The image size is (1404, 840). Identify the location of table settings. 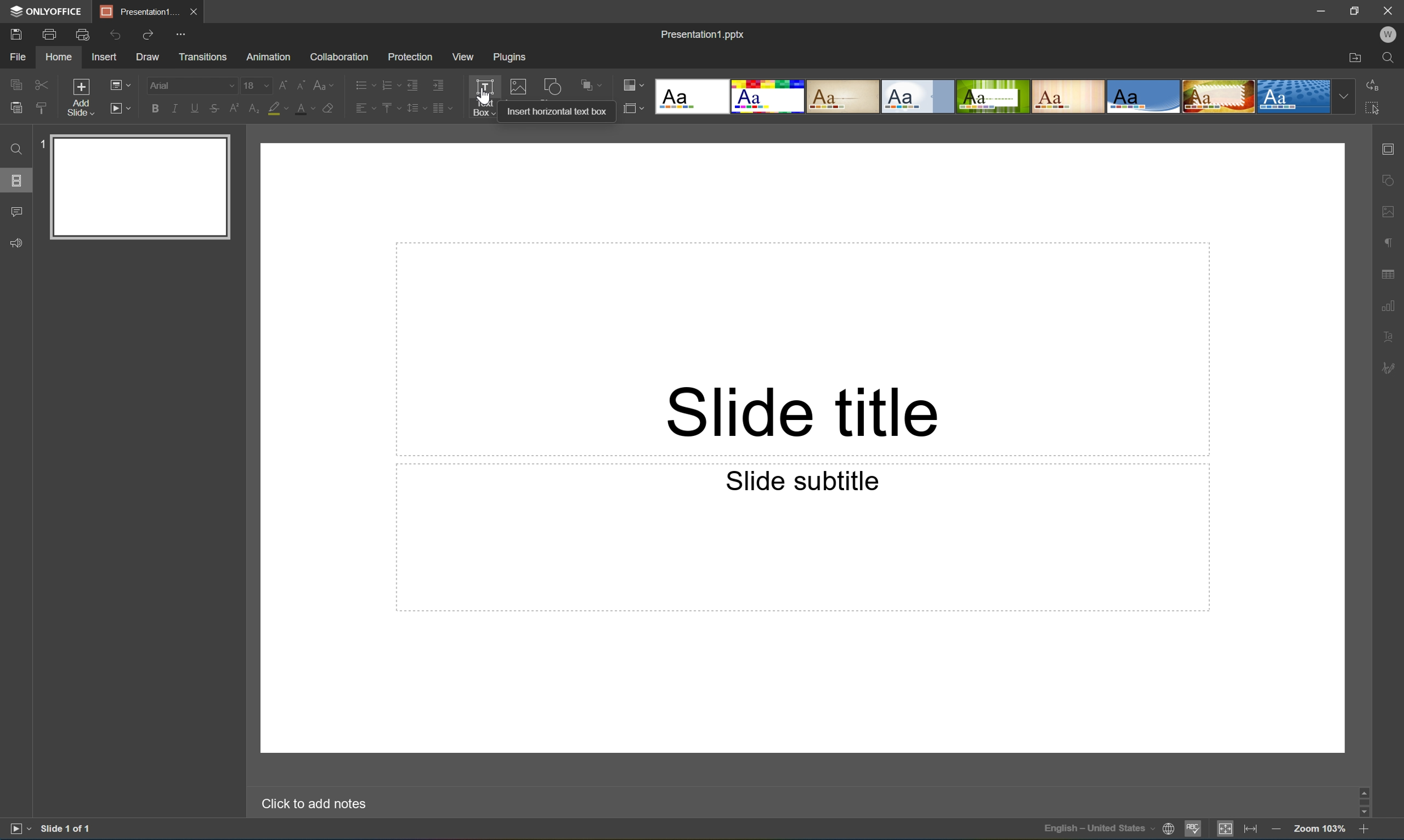
(1390, 275).